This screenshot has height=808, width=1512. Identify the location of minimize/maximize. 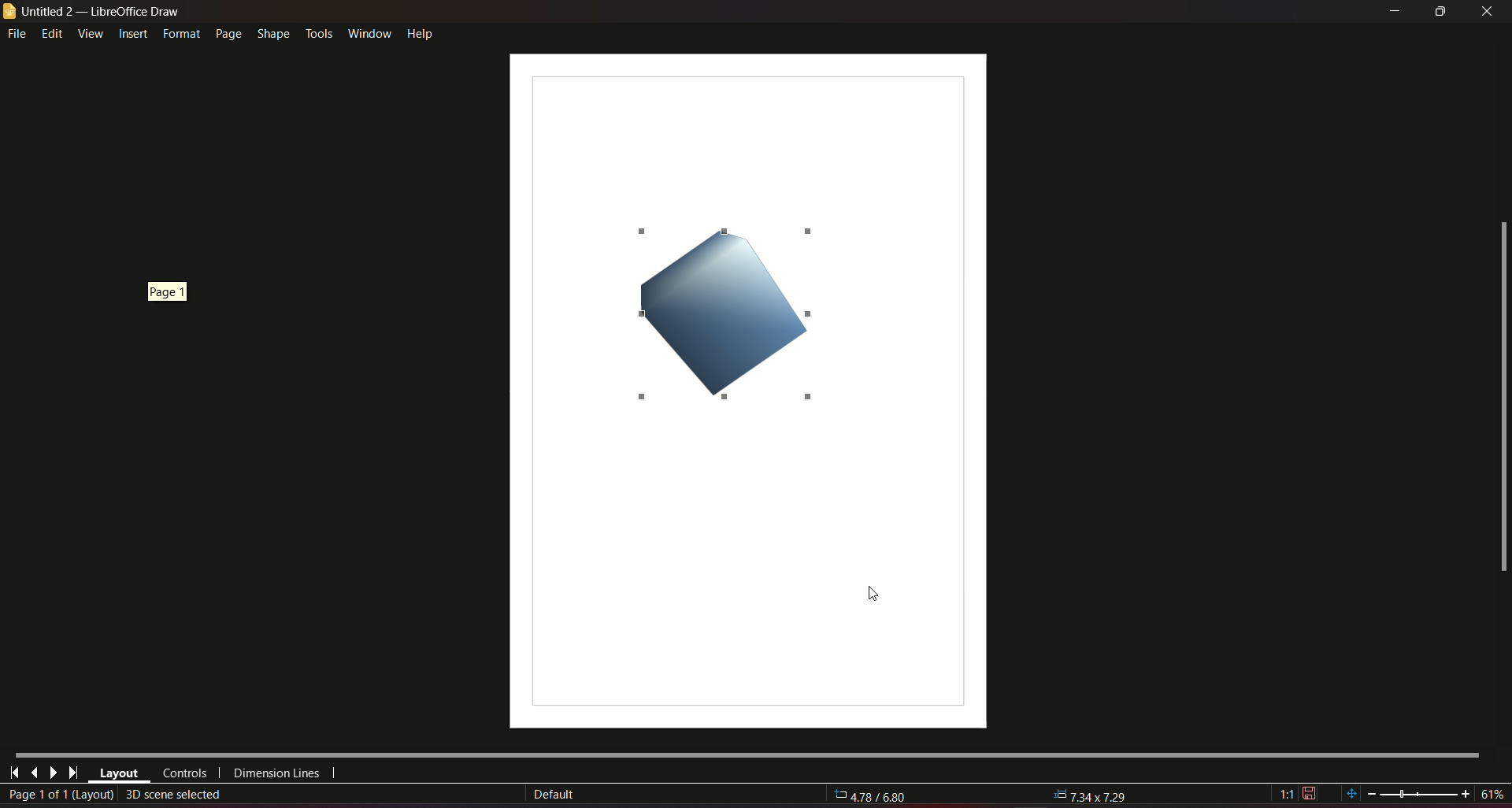
(1440, 12).